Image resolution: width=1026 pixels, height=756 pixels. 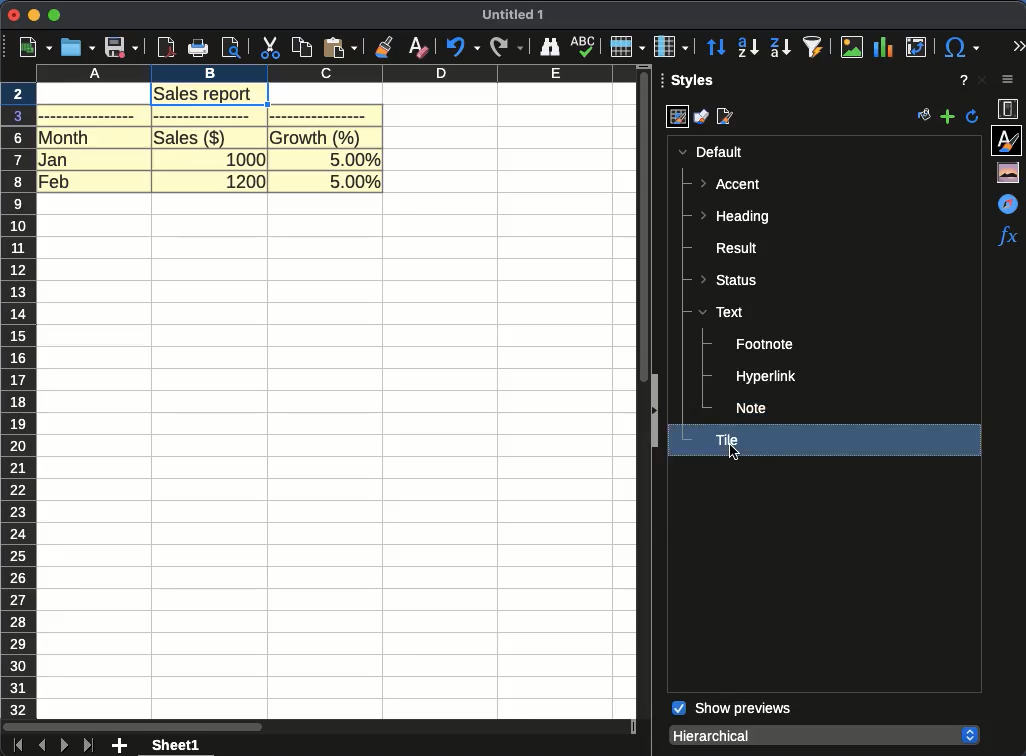 I want to click on result, so click(x=730, y=248).